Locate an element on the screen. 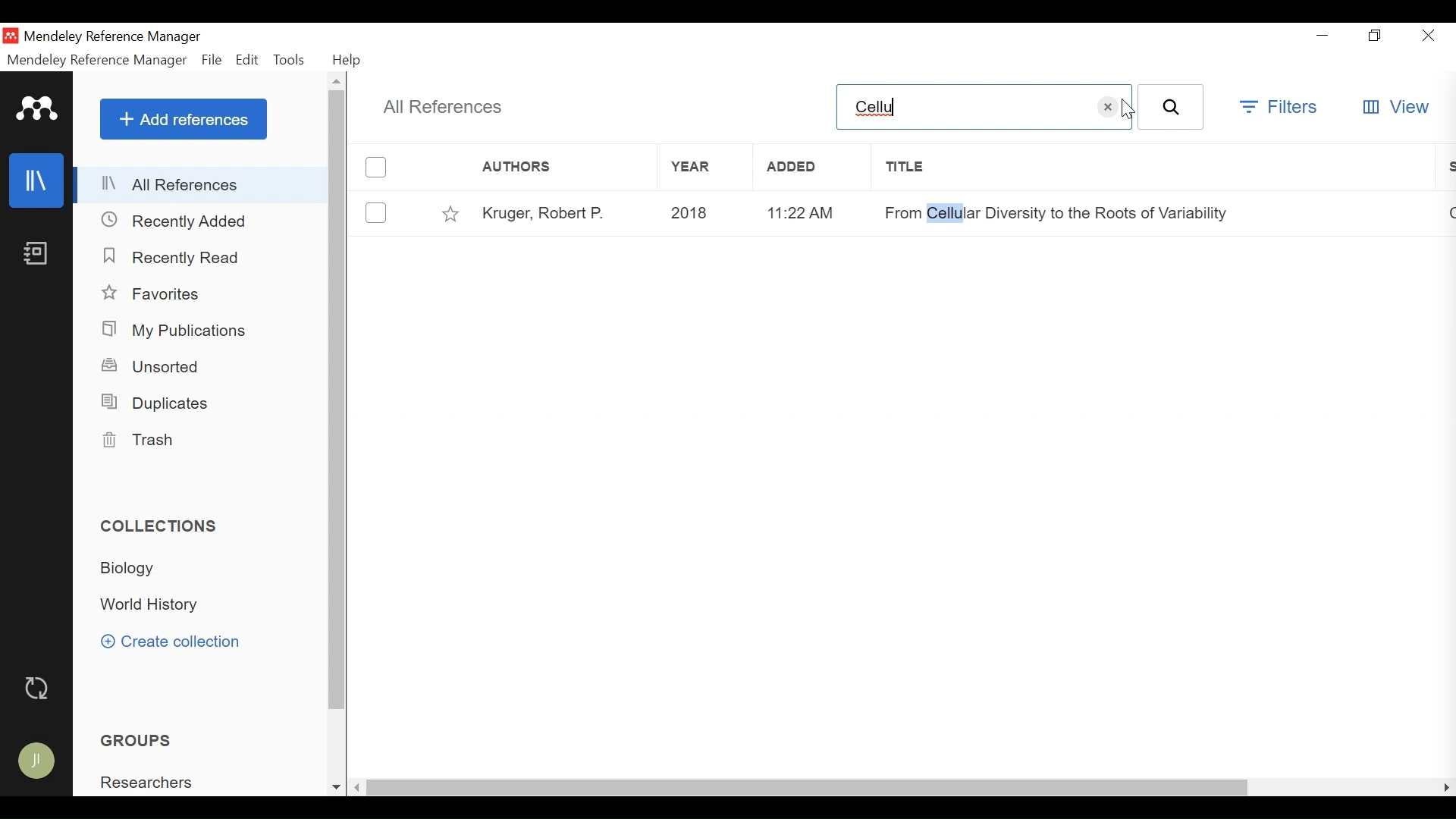  My Publications is located at coordinates (177, 331).